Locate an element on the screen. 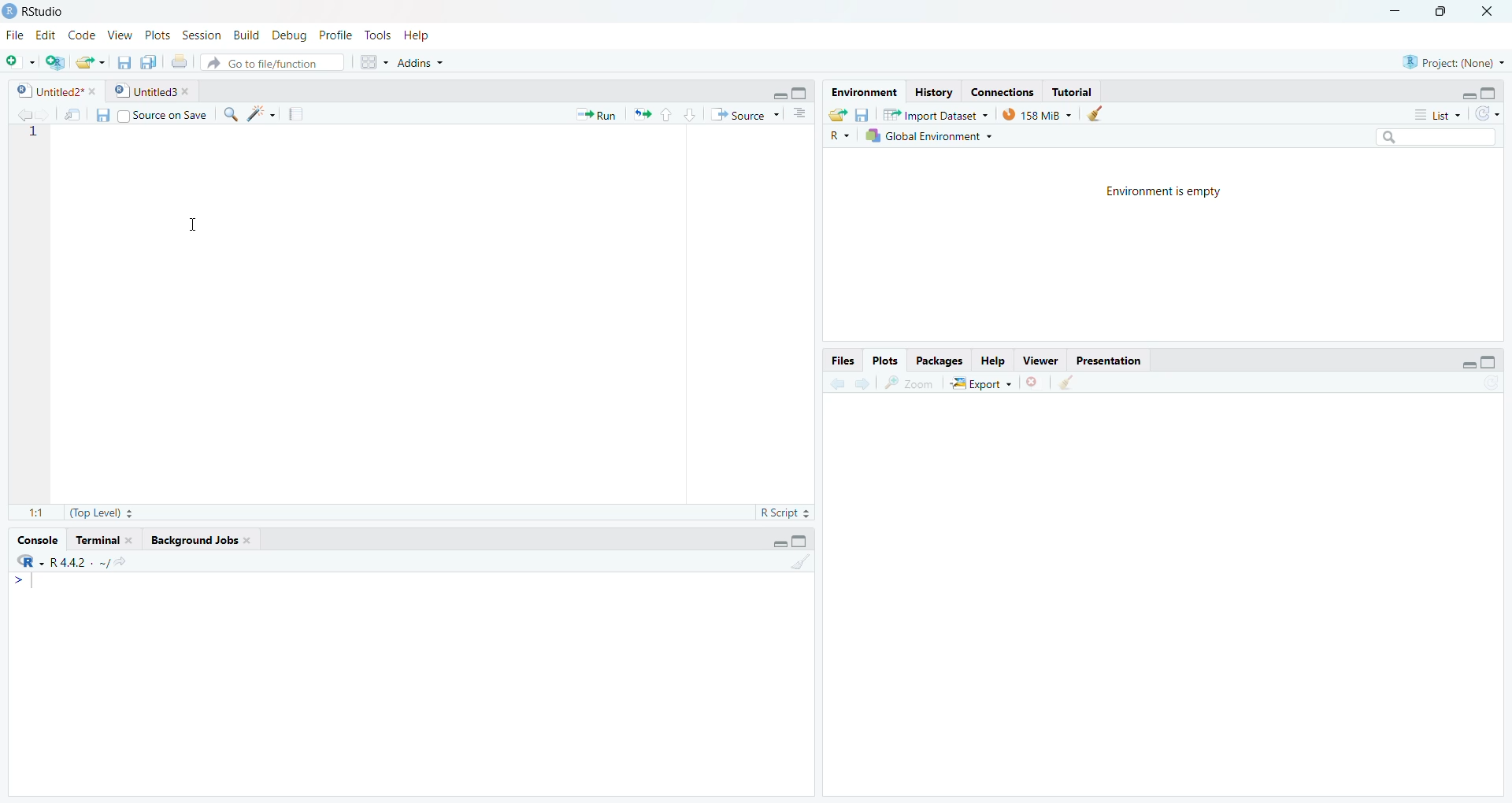  Console is located at coordinates (37, 538).